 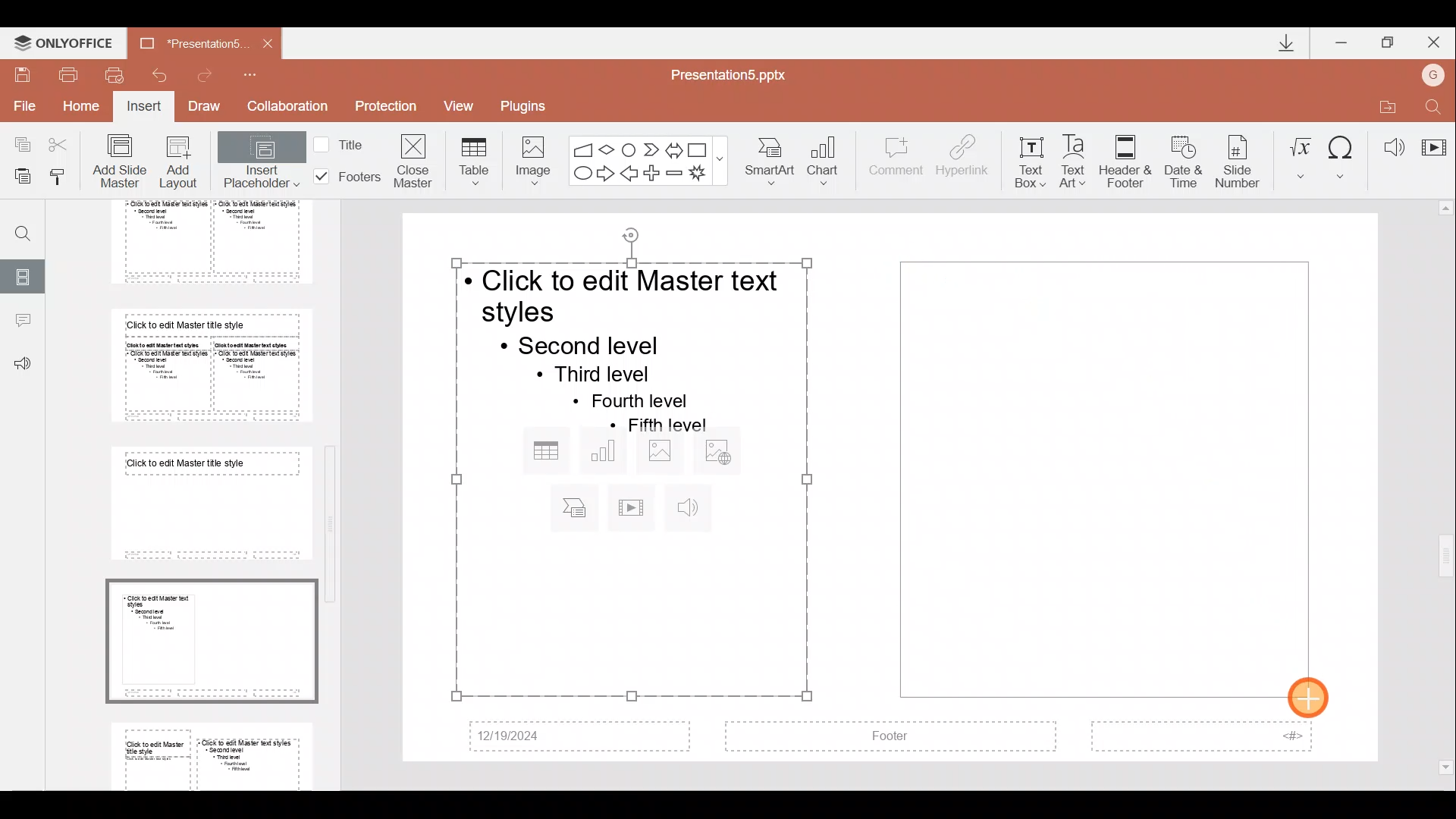 What do you see at coordinates (1389, 40) in the screenshot?
I see `Maximize` at bounding box center [1389, 40].